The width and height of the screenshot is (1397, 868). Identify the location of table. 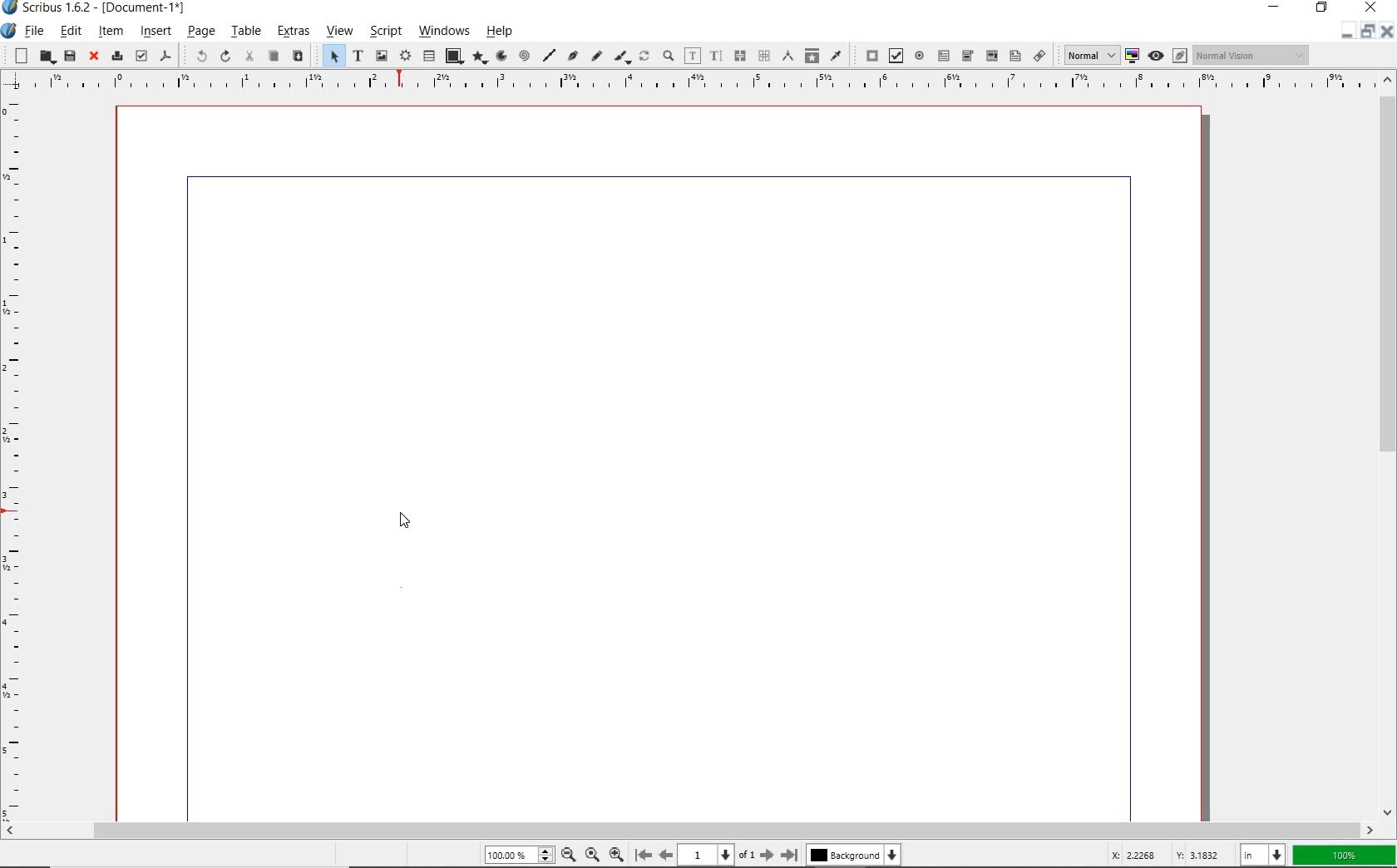
(429, 57).